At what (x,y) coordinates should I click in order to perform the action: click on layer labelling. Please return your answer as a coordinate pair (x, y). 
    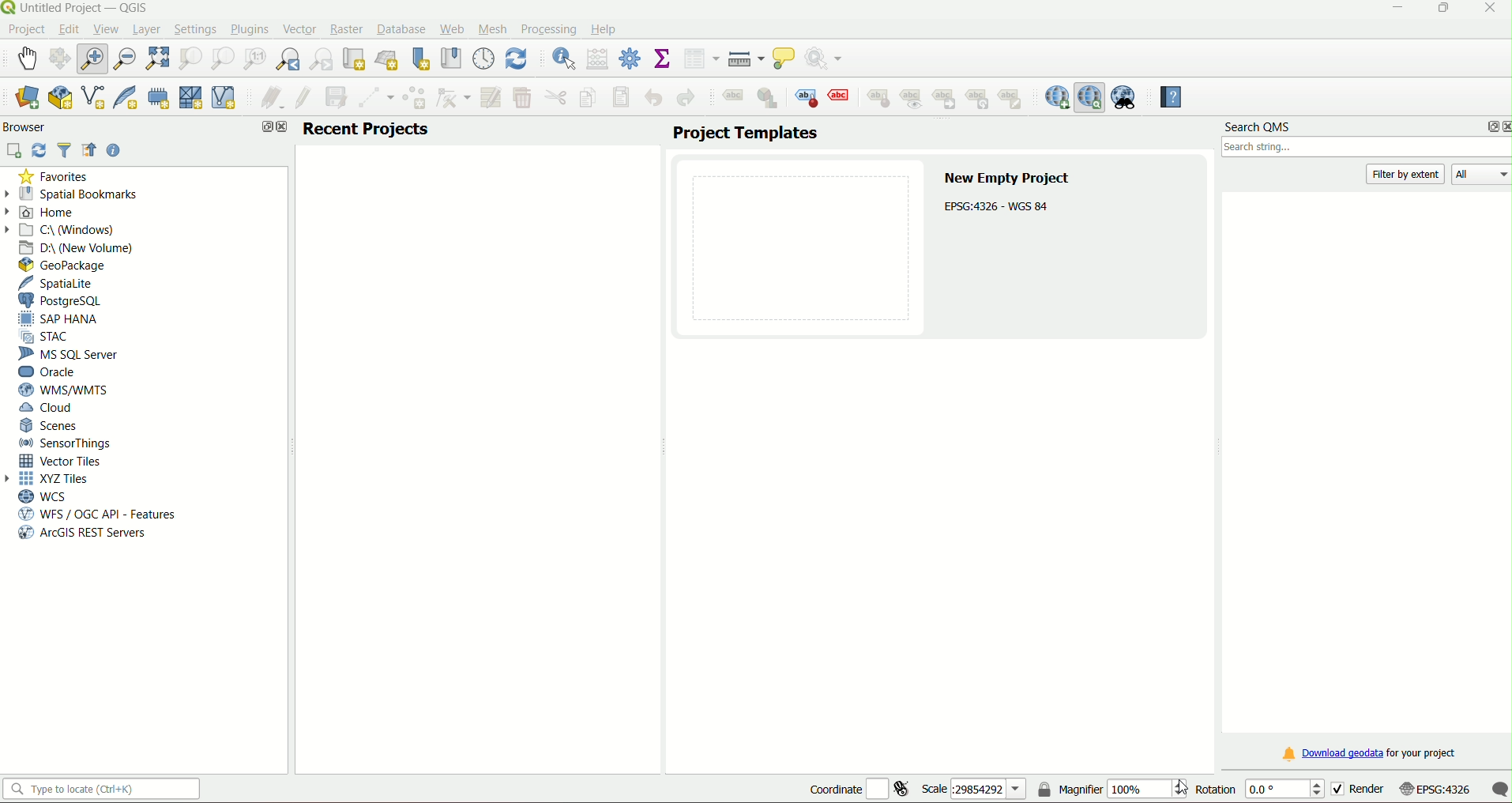
    Looking at the image, I should click on (732, 100).